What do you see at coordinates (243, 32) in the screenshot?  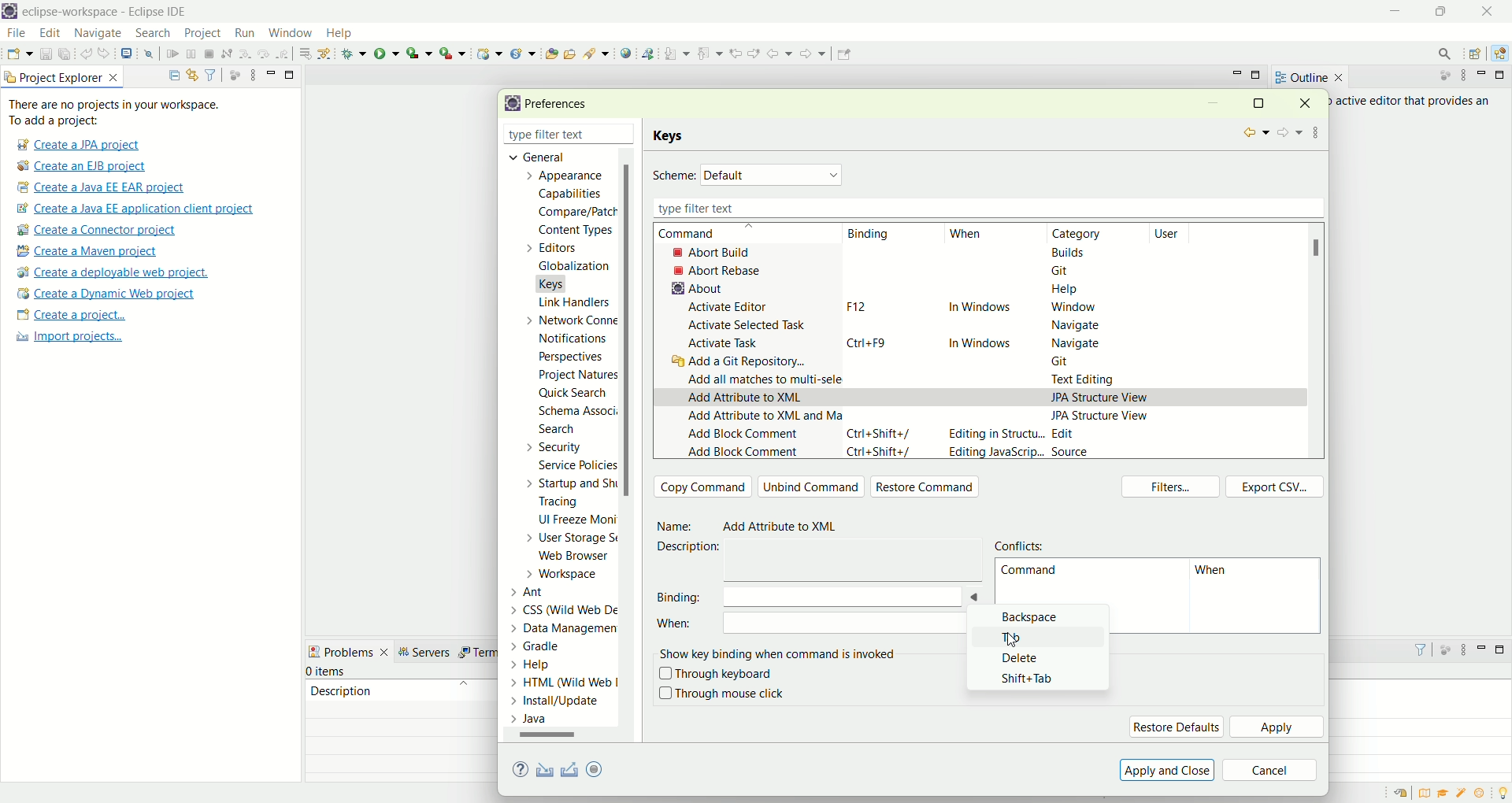 I see `run` at bounding box center [243, 32].